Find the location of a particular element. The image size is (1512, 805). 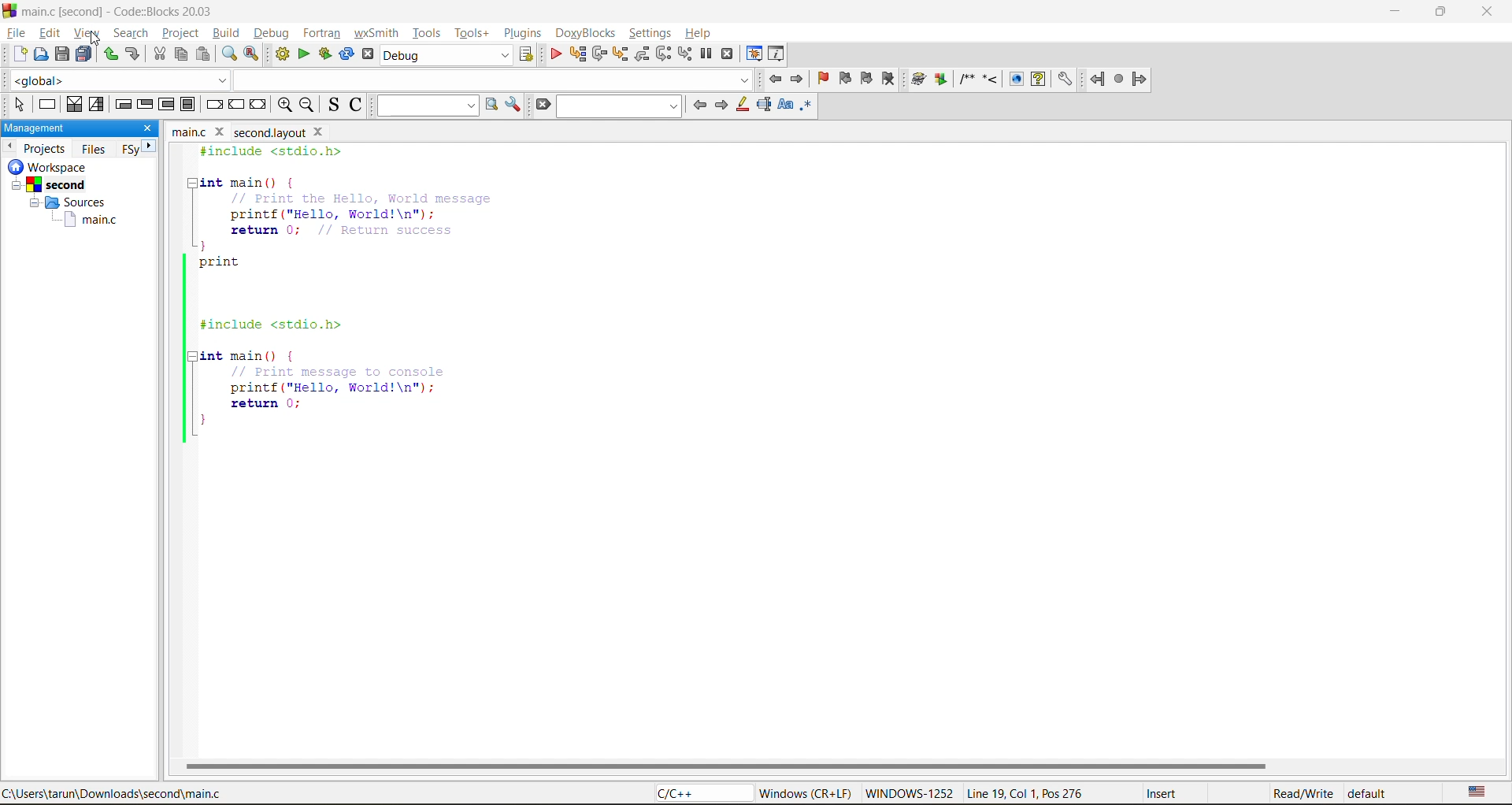

counting loop is located at coordinates (164, 105).